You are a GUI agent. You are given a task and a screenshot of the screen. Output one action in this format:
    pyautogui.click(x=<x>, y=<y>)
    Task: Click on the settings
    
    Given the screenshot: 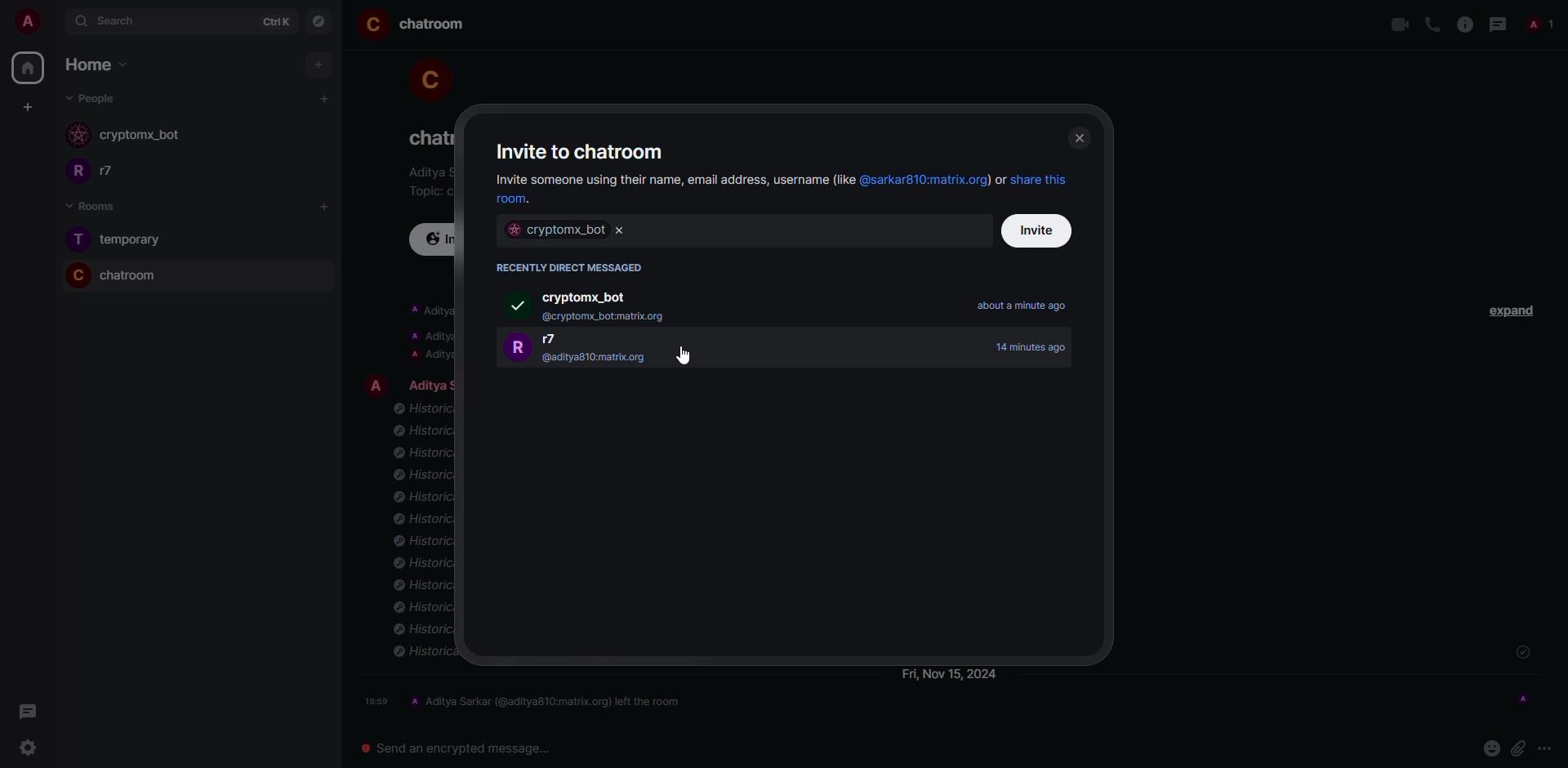 What is the action you would take?
    pyautogui.click(x=23, y=749)
    